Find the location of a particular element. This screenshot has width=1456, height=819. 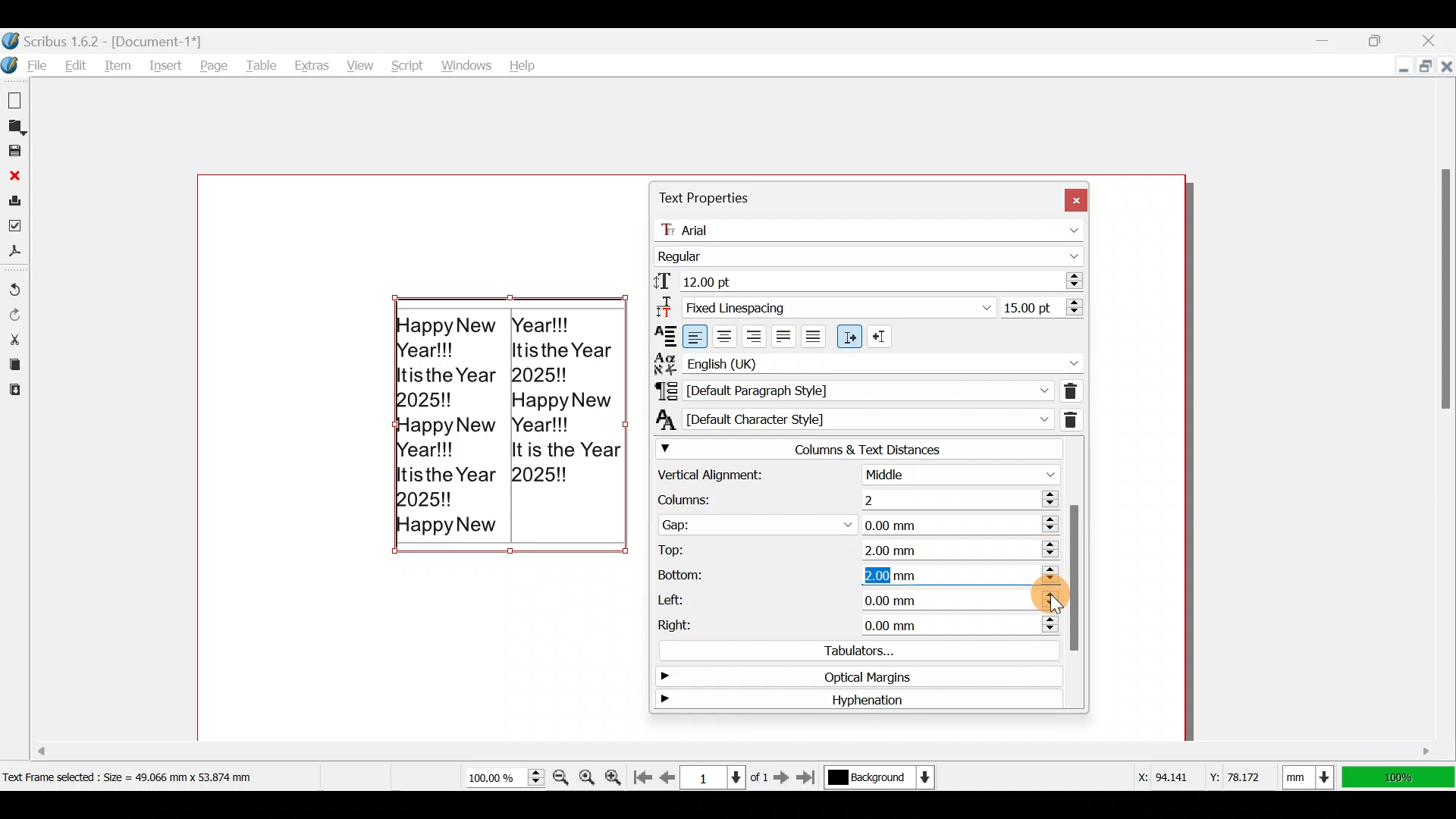

Windows is located at coordinates (463, 61).